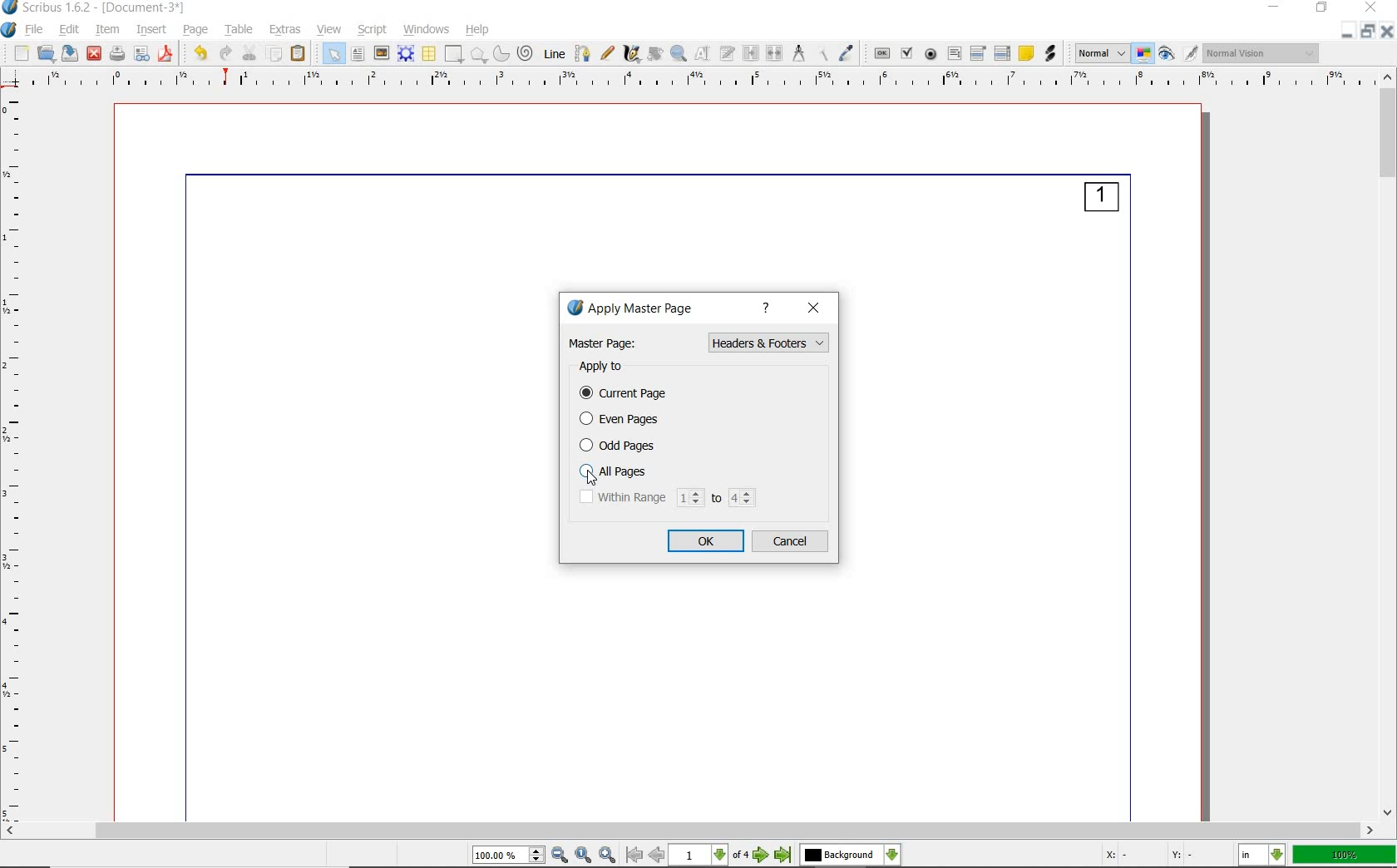  I want to click on rotate item, so click(654, 54).